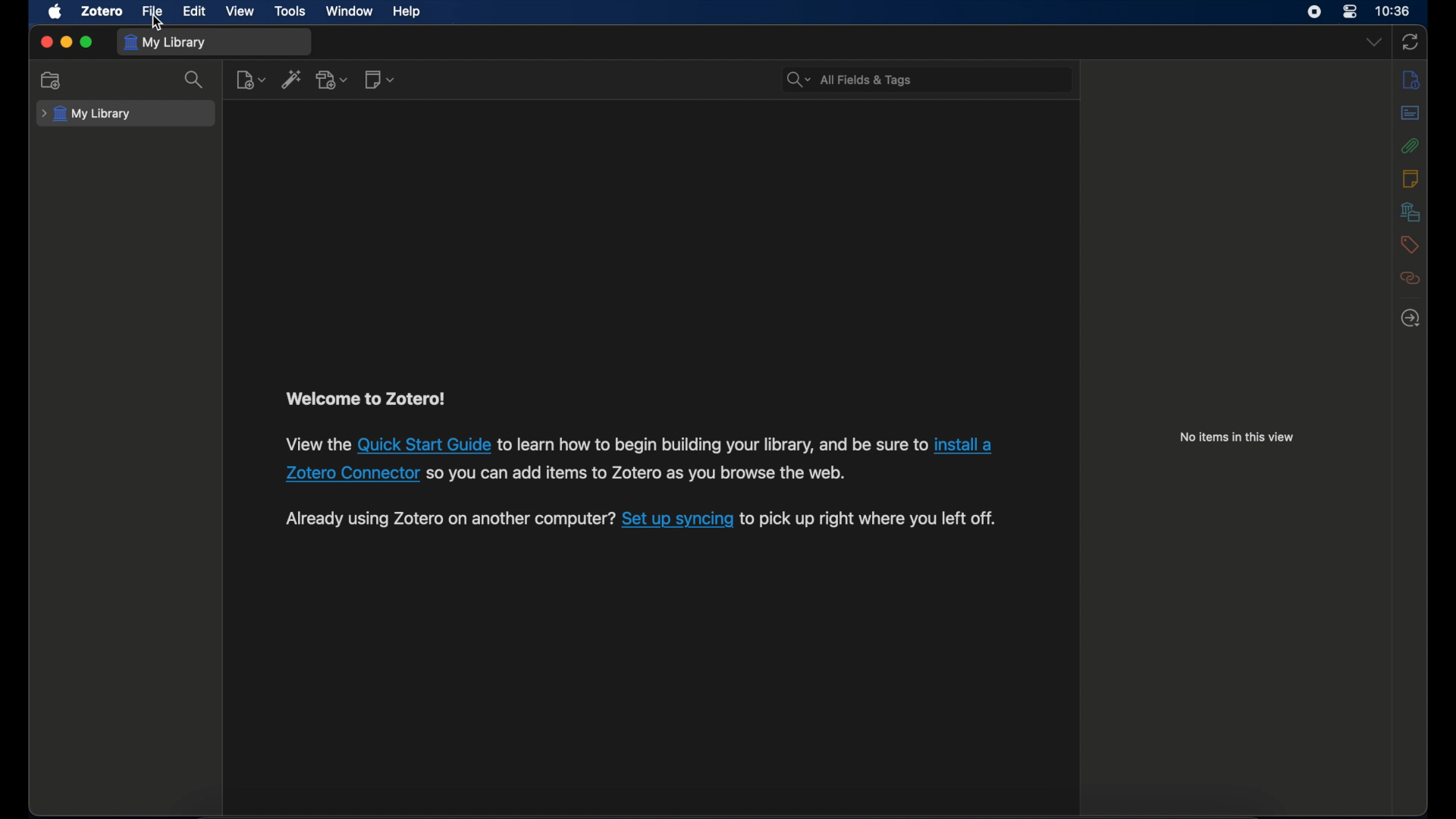 This screenshot has width=1456, height=819. Describe the element at coordinates (1411, 318) in the screenshot. I see `locate` at that location.